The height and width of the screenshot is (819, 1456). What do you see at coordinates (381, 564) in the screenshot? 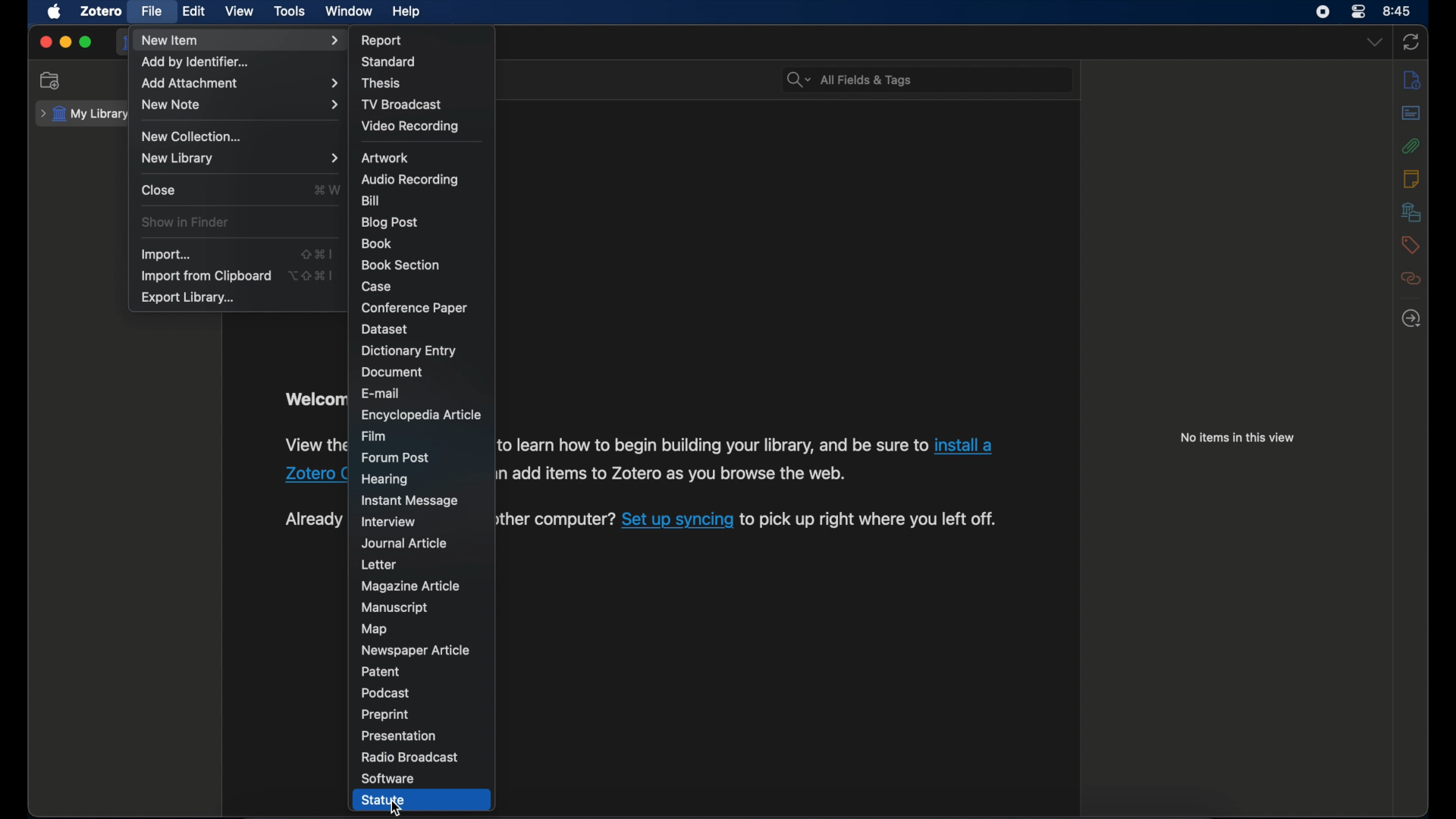
I see `letter` at bounding box center [381, 564].